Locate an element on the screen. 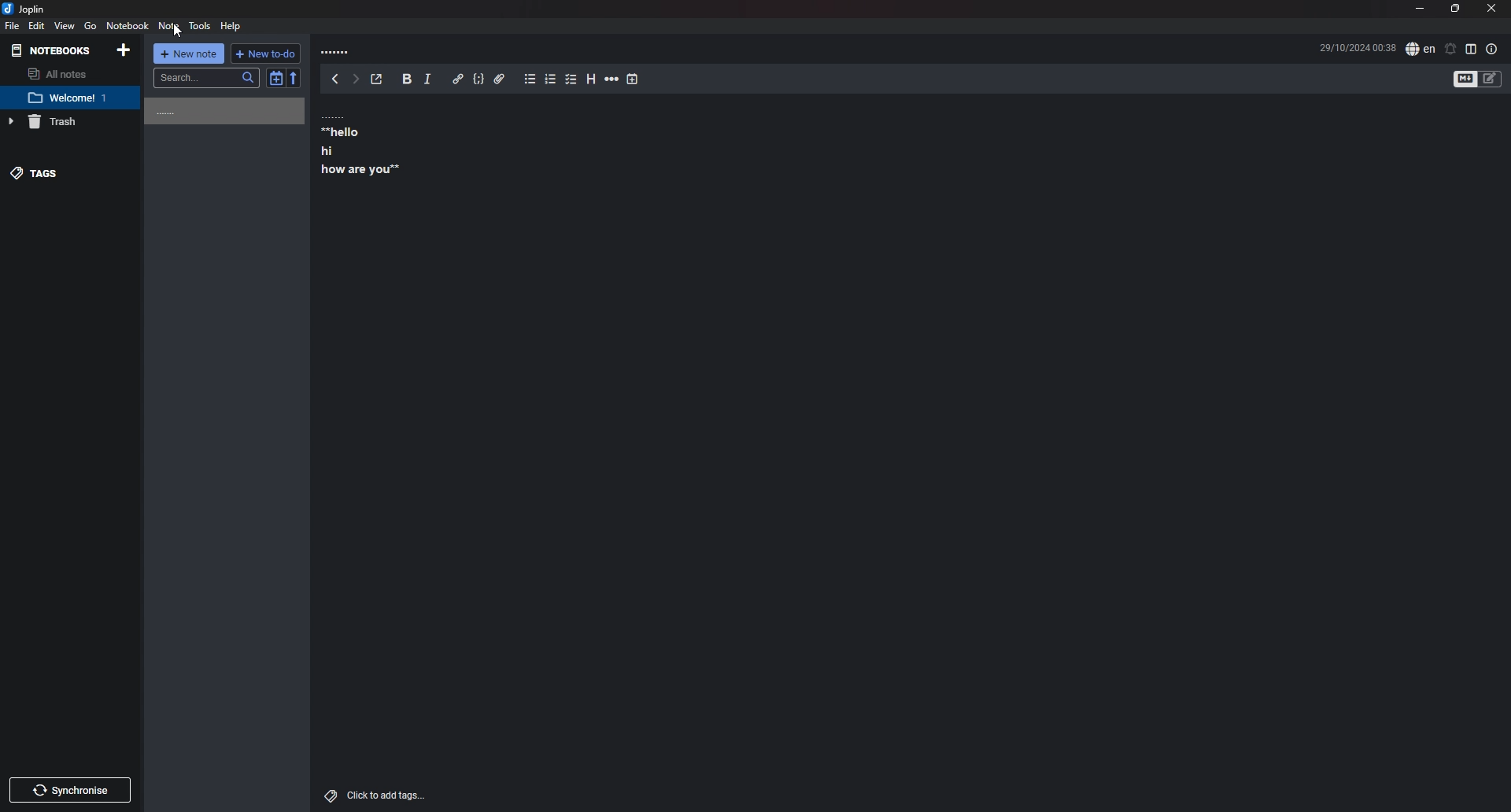 This screenshot has width=1511, height=812. tags is located at coordinates (51, 175).